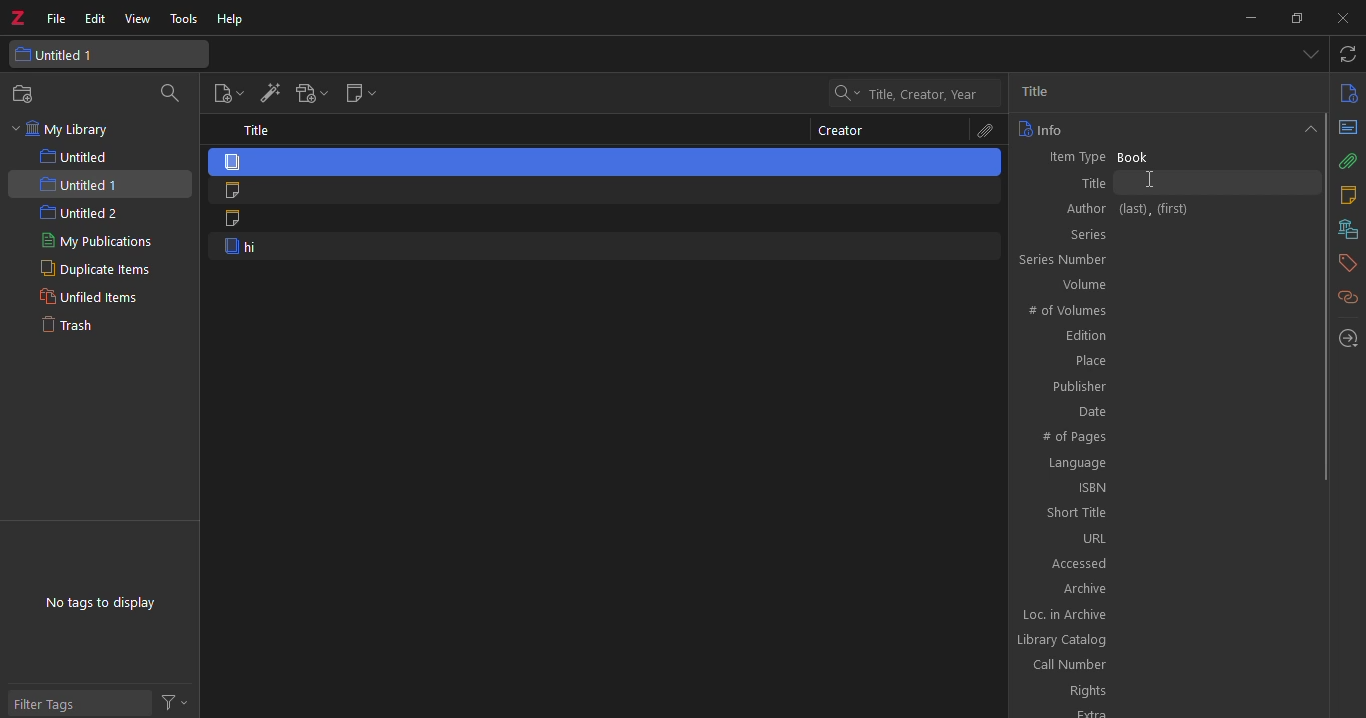  I want to click on untitled, so click(84, 157).